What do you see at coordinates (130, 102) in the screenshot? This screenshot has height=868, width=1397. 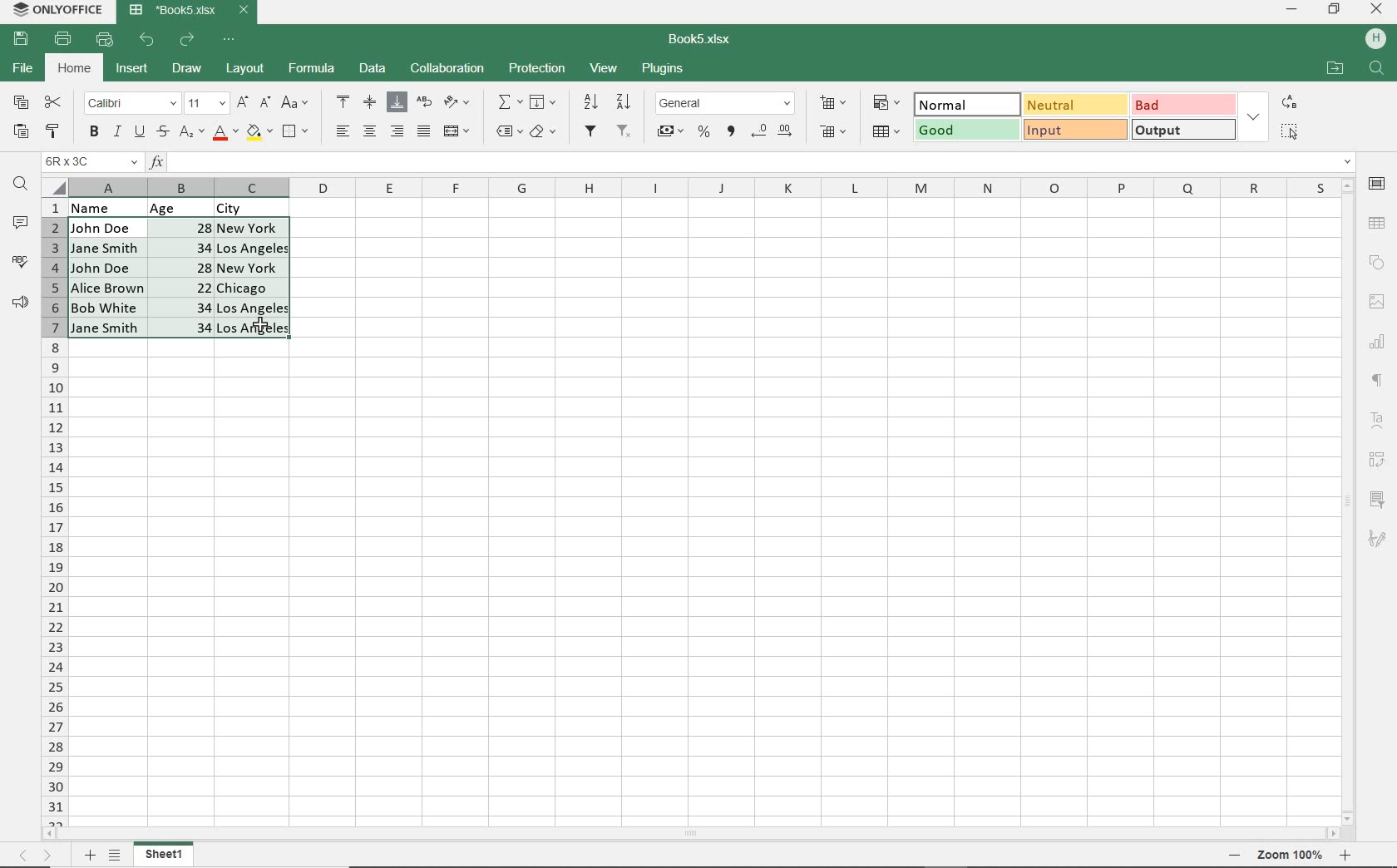 I see `FONT` at bounding box center [130, 102].